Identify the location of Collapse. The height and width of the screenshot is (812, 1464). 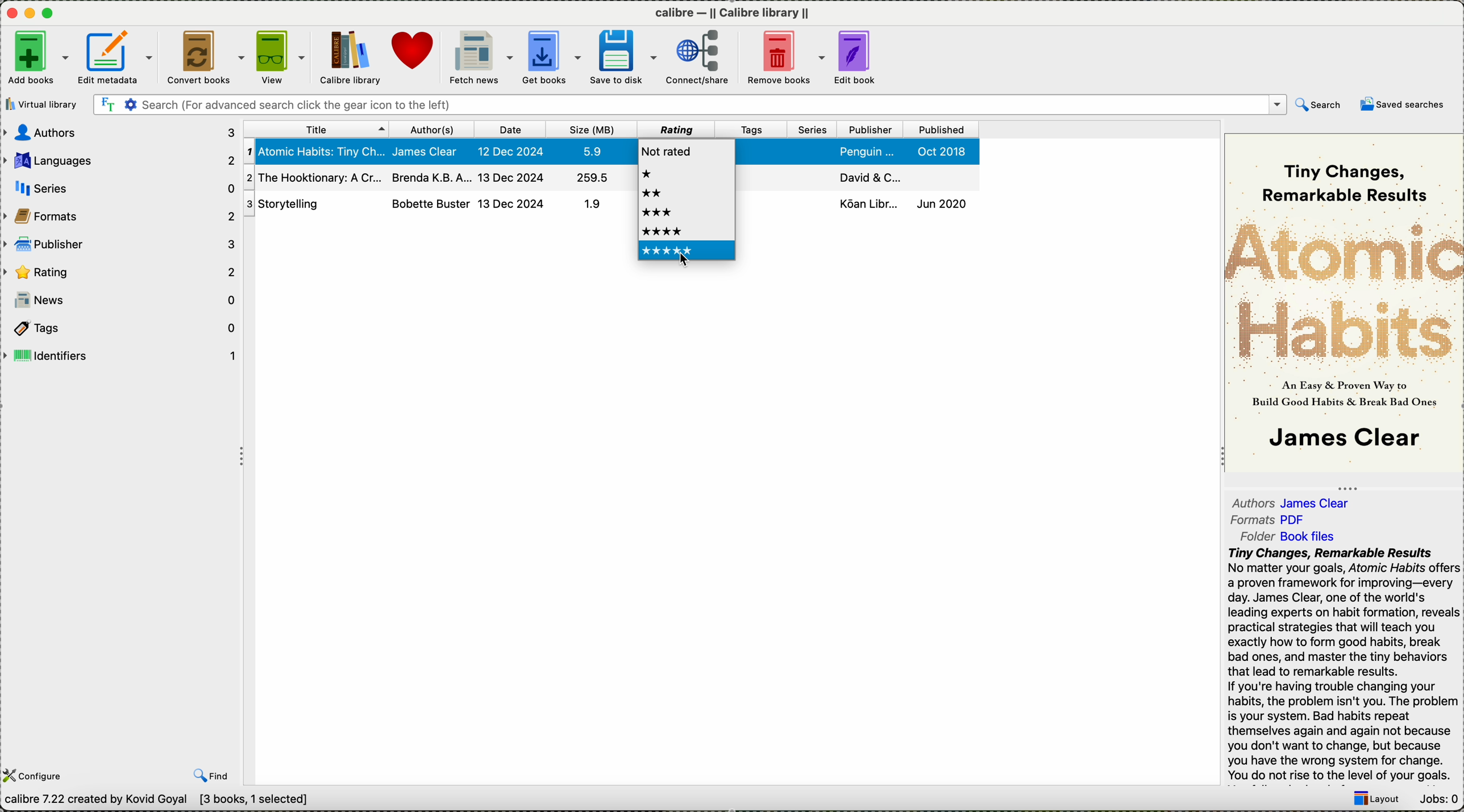
(1218, 458).